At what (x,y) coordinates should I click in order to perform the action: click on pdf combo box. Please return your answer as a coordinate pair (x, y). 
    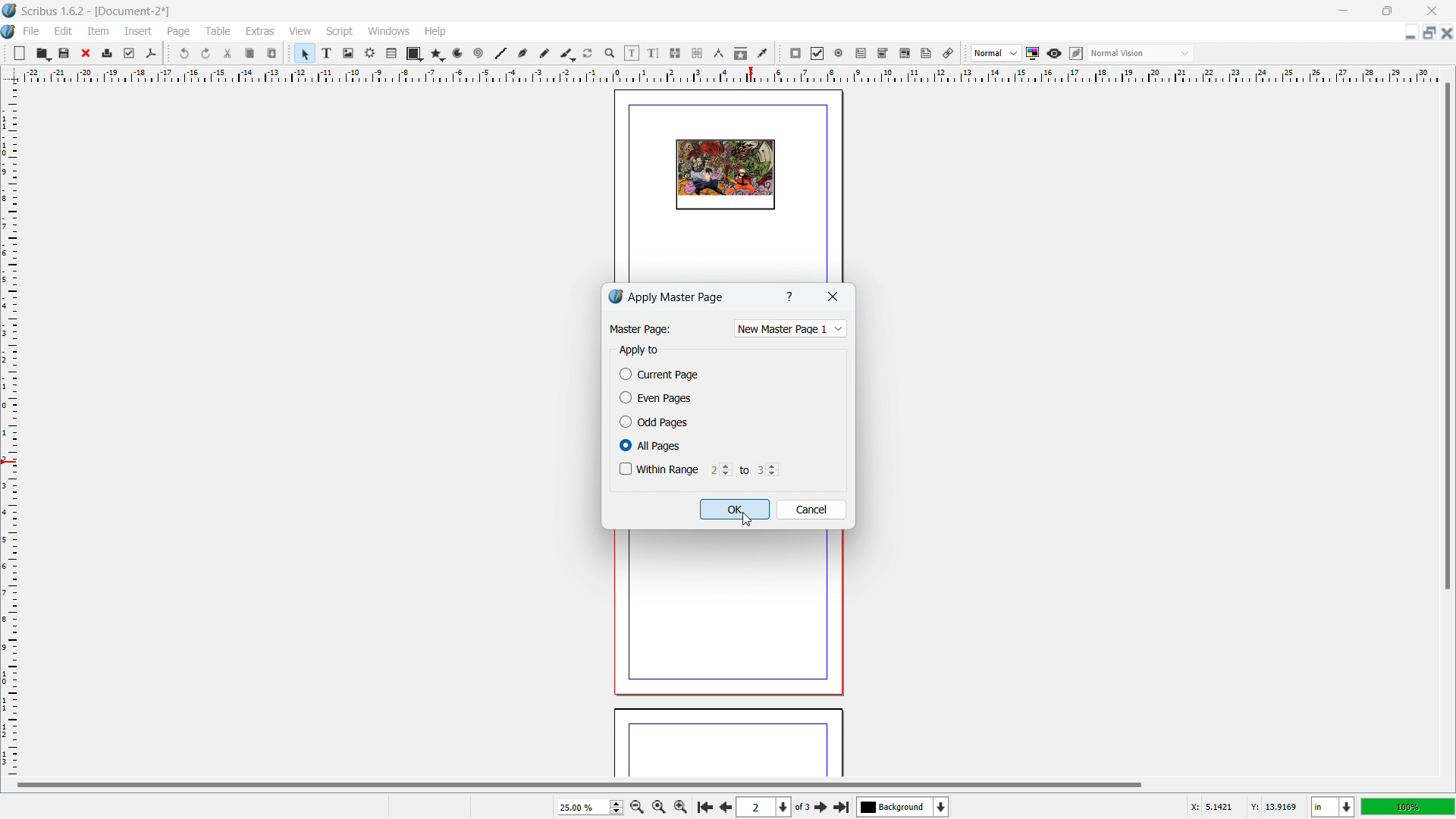
    Looking at the image, I should click on (882, 53).